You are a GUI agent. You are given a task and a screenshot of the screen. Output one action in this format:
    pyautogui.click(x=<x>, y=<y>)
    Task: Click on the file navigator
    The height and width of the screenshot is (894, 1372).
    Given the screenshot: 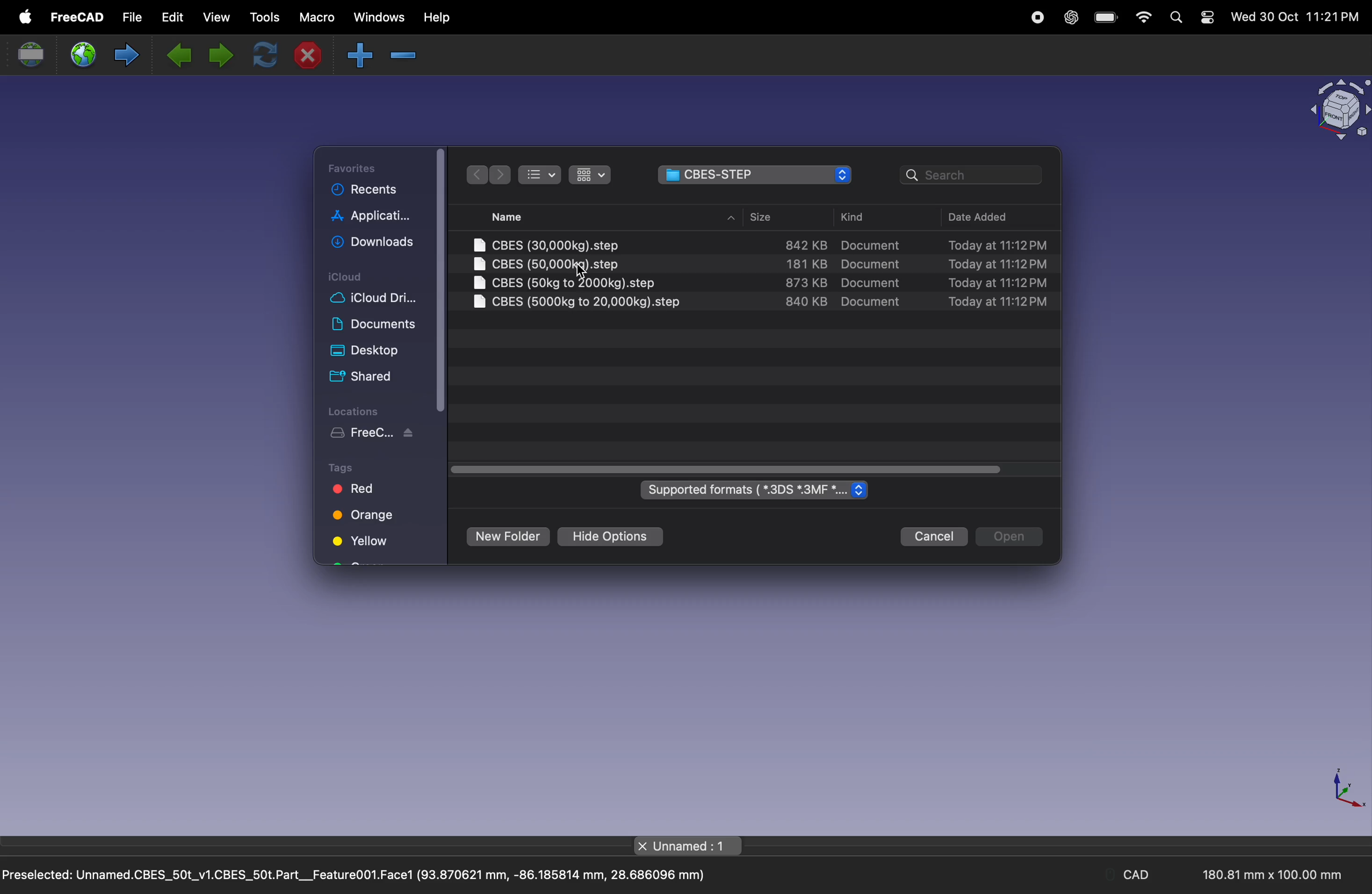 What is the action you would take?
    pyautogui.click(x=756, y=175)
    